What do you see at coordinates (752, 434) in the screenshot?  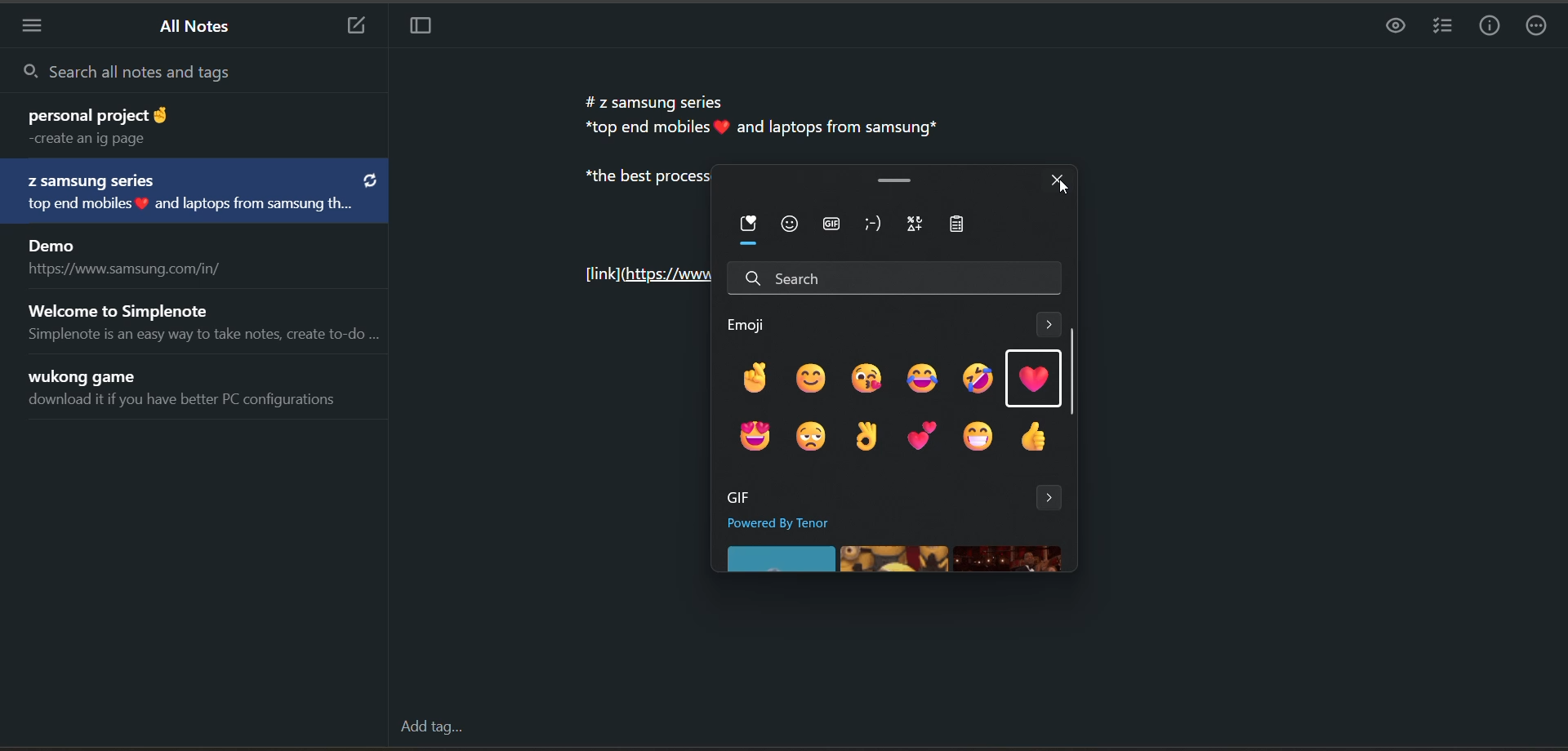 I see `emoji 7` at bounding box center [752, 434].